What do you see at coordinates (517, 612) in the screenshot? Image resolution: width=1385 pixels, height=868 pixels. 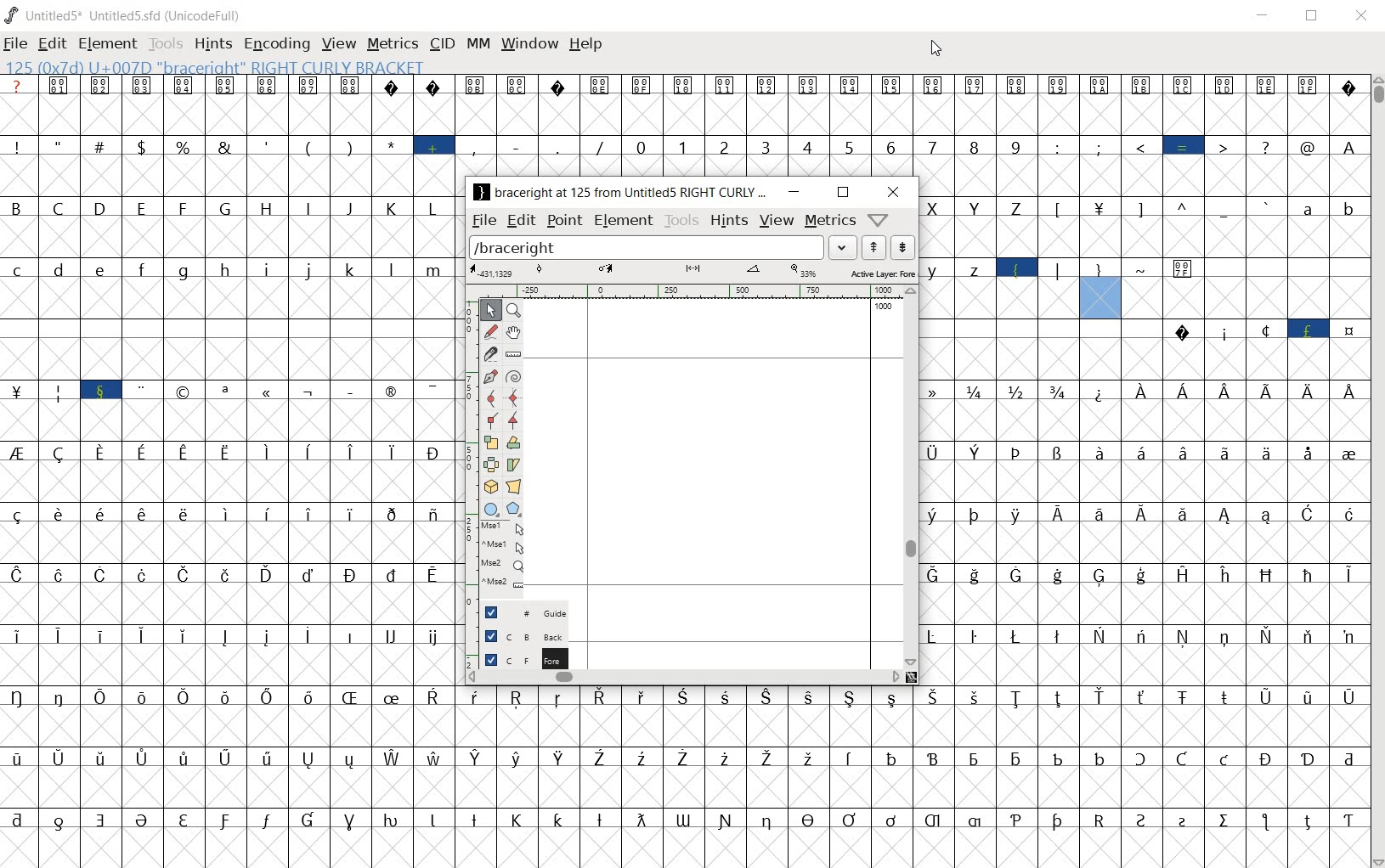 I see `Guide` at bounding box center [517, 612].